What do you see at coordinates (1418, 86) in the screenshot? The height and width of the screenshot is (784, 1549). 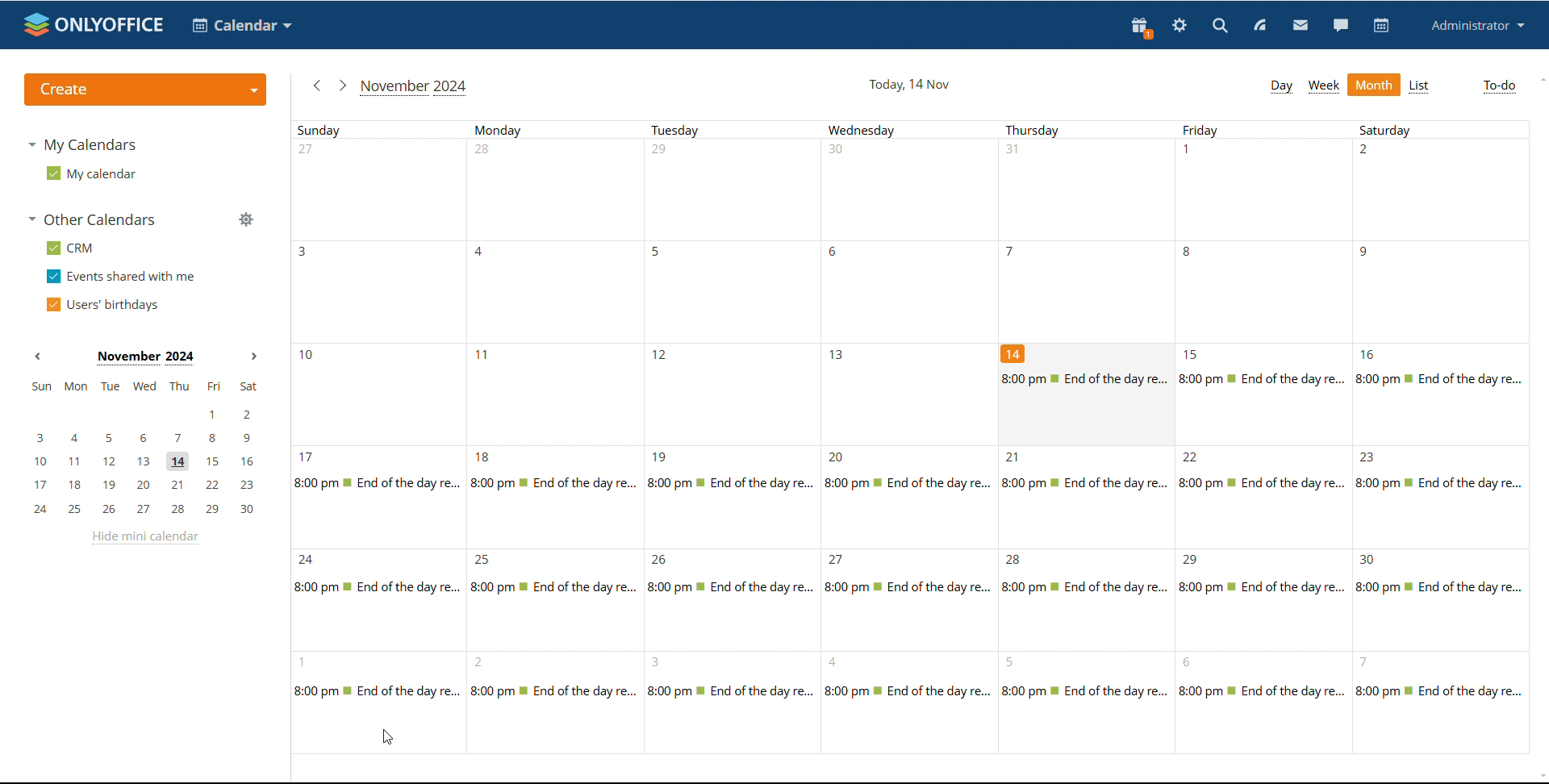 I see `list view` at bounding box center [1418, 86].